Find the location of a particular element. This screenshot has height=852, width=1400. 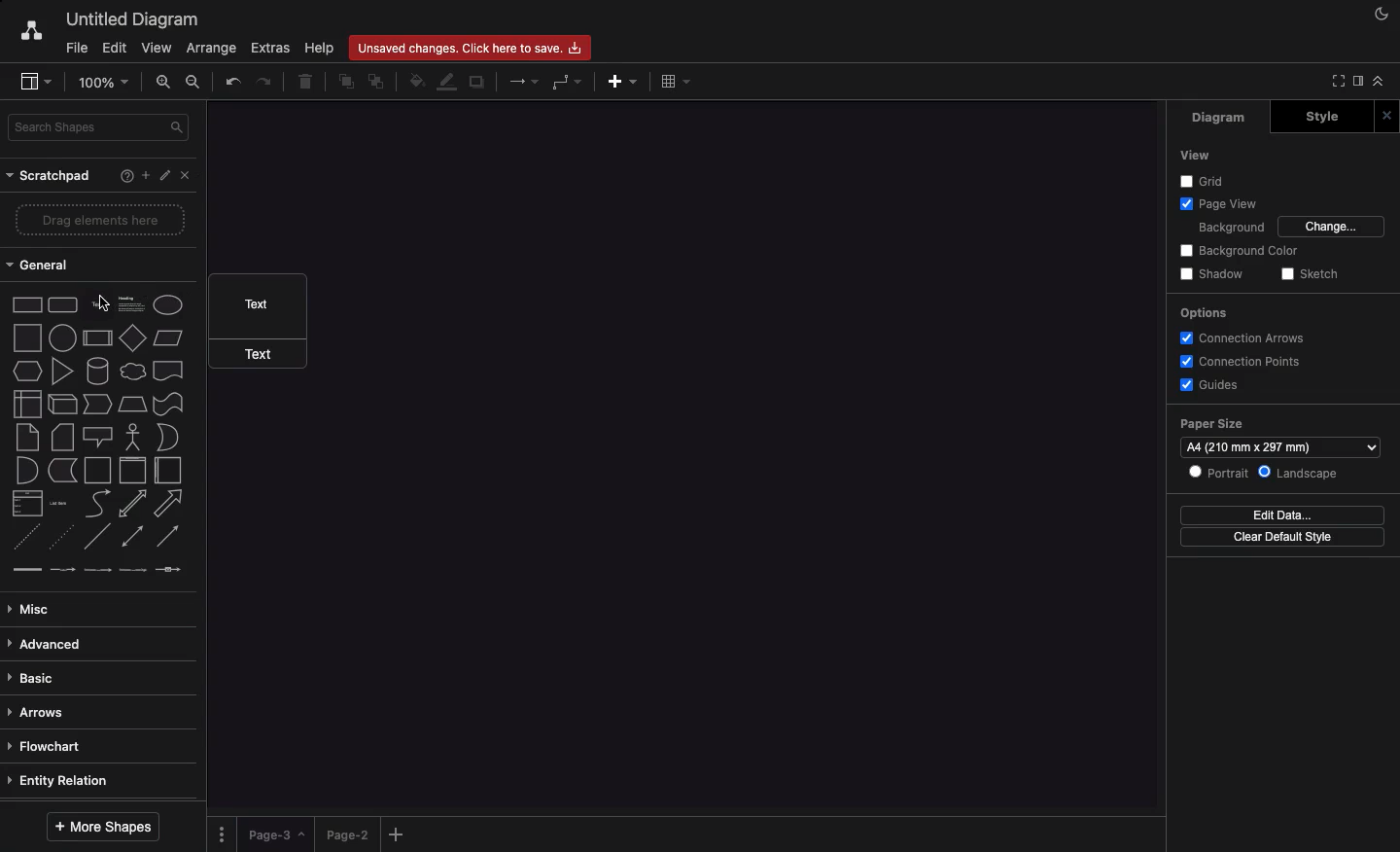

rounded rectangle is located at coordinates (63, 303).